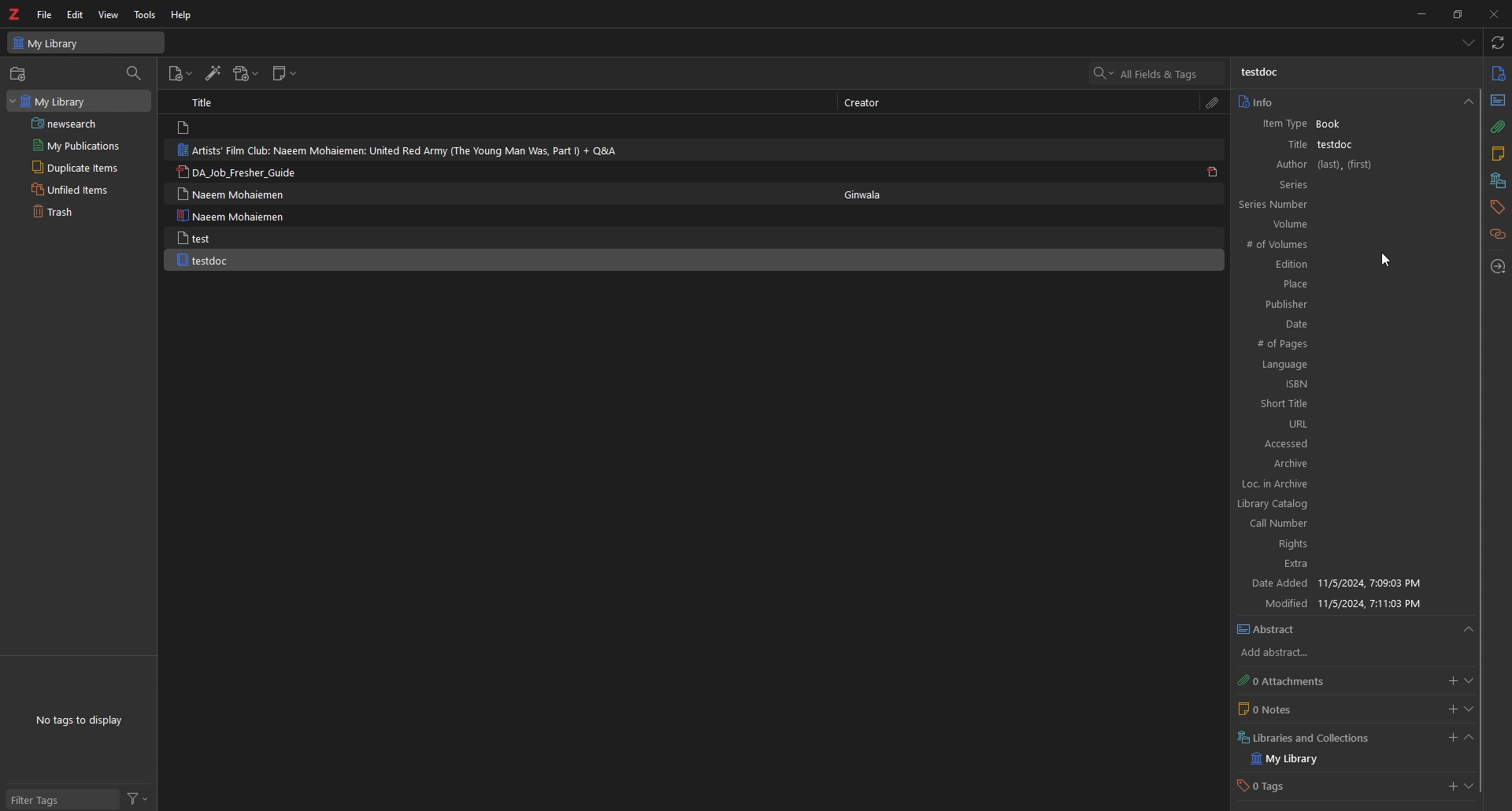 Image resolution: width=1512 pixels, height=811 pixels. What do you see at coordinates (1471, 680) in the screenshot?
I see `collapse` at bounding box center [1471, 680].